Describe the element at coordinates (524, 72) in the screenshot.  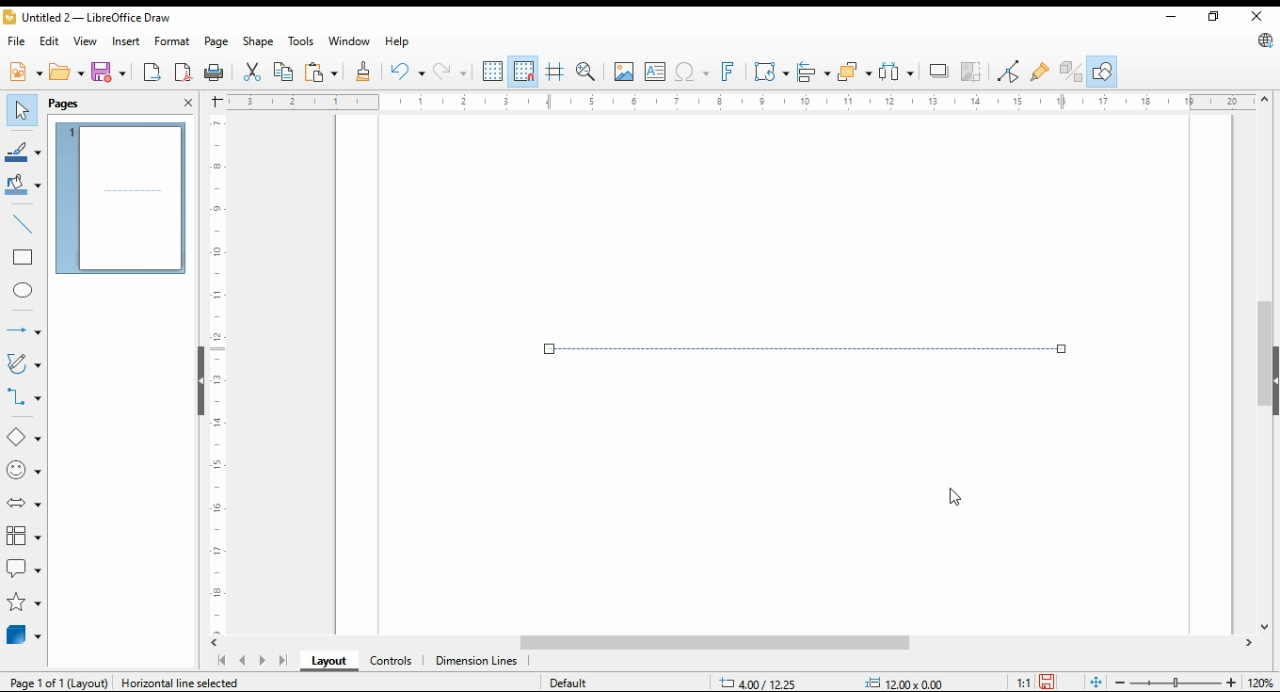
I see `snap to grids` at that location.